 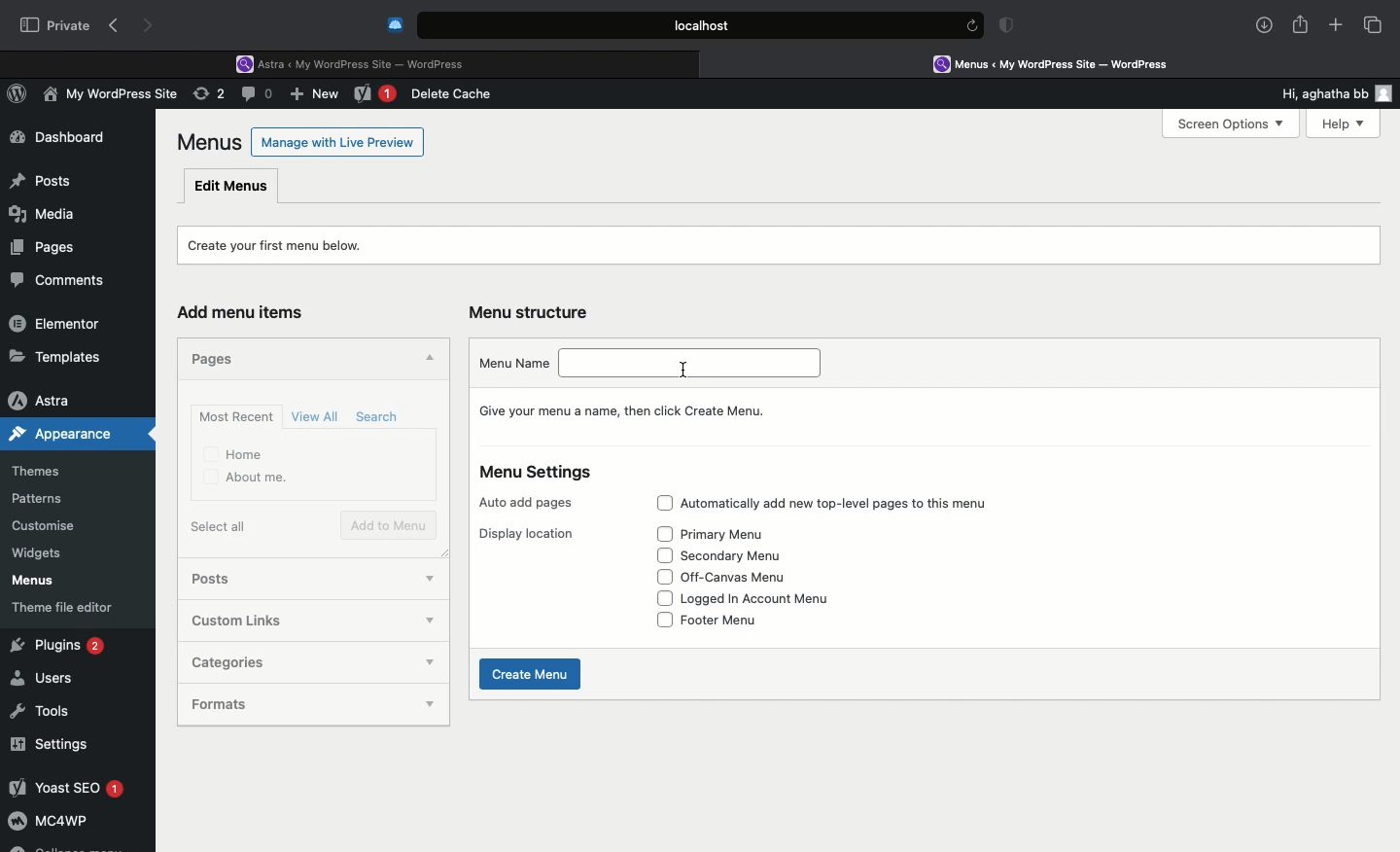 I want to click on Typing area, so click(x=695, y=365).